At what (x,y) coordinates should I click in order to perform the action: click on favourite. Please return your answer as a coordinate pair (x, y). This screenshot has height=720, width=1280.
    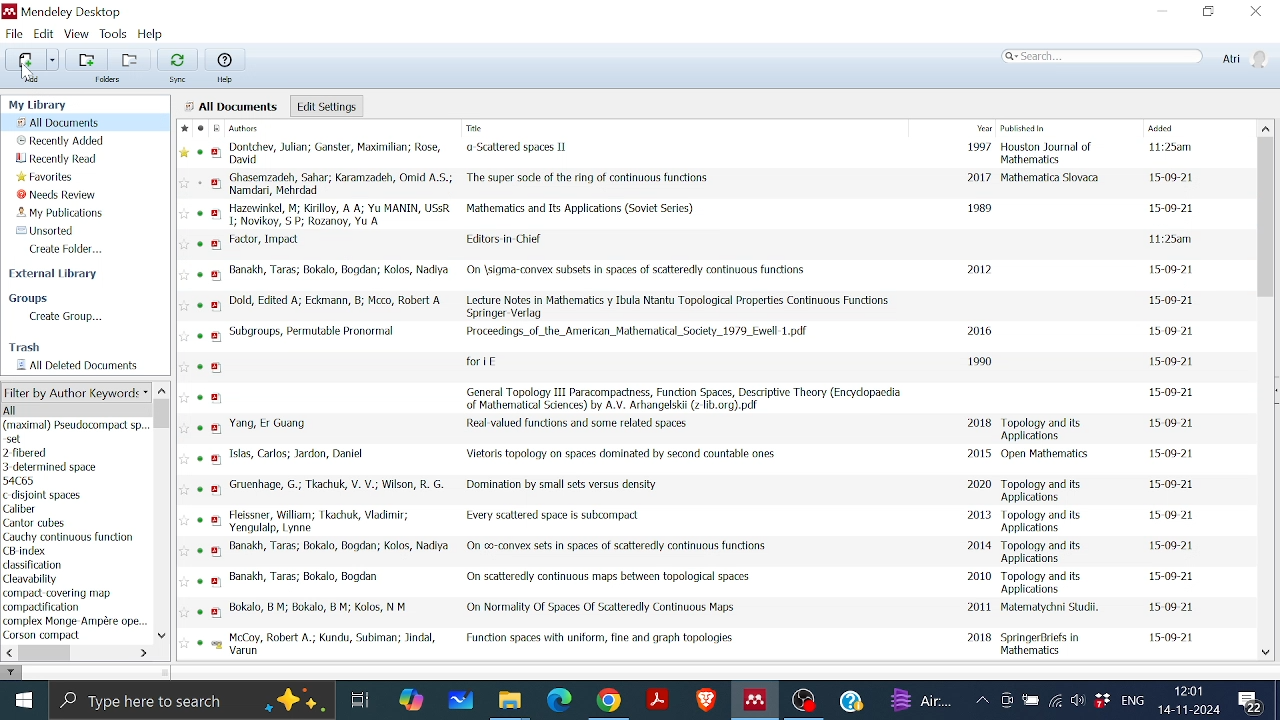
    Looking at the image, I should click on (182, 184).